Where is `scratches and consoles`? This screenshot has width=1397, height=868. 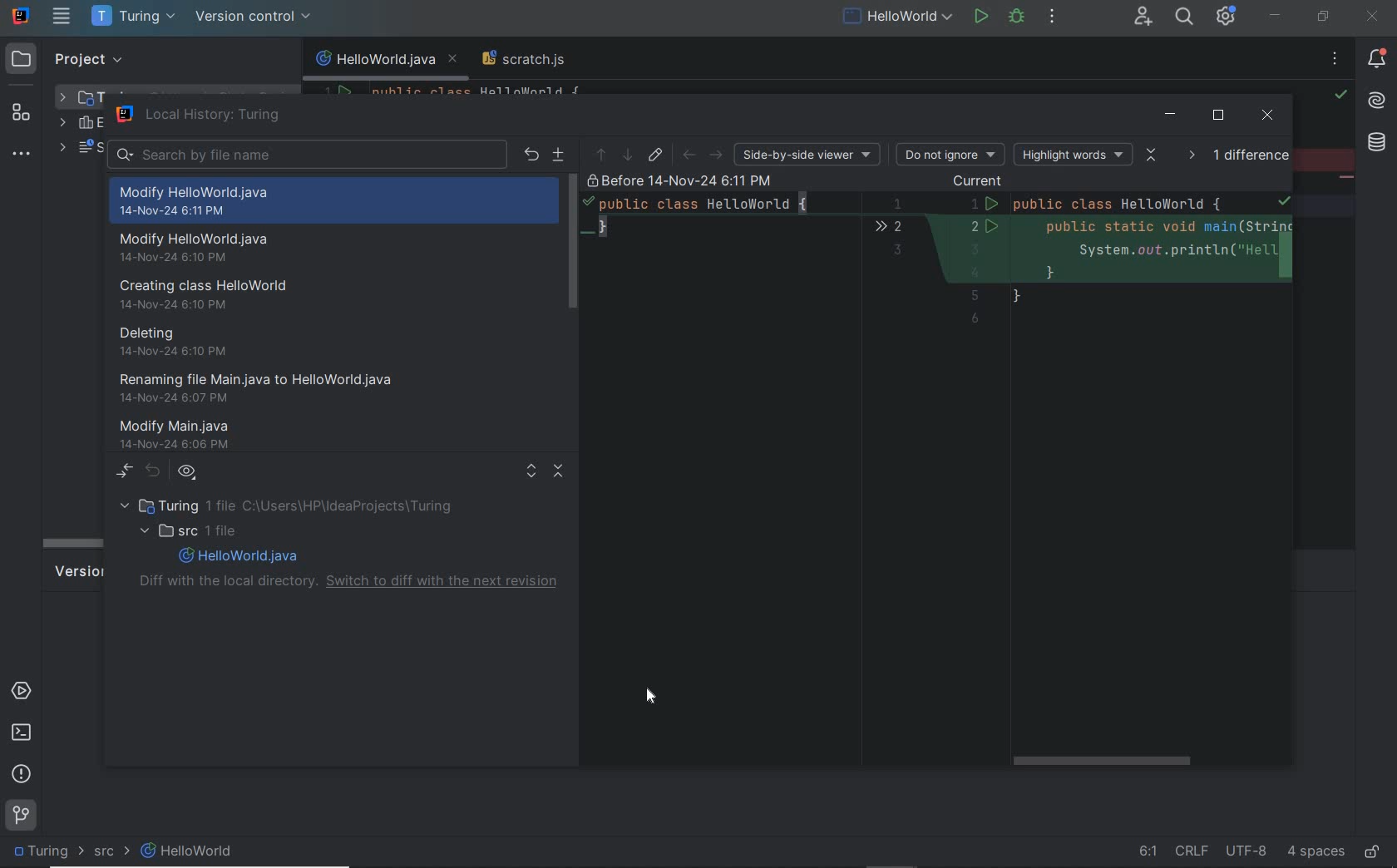 scratches and consoles is located at coordinates (78, 148).